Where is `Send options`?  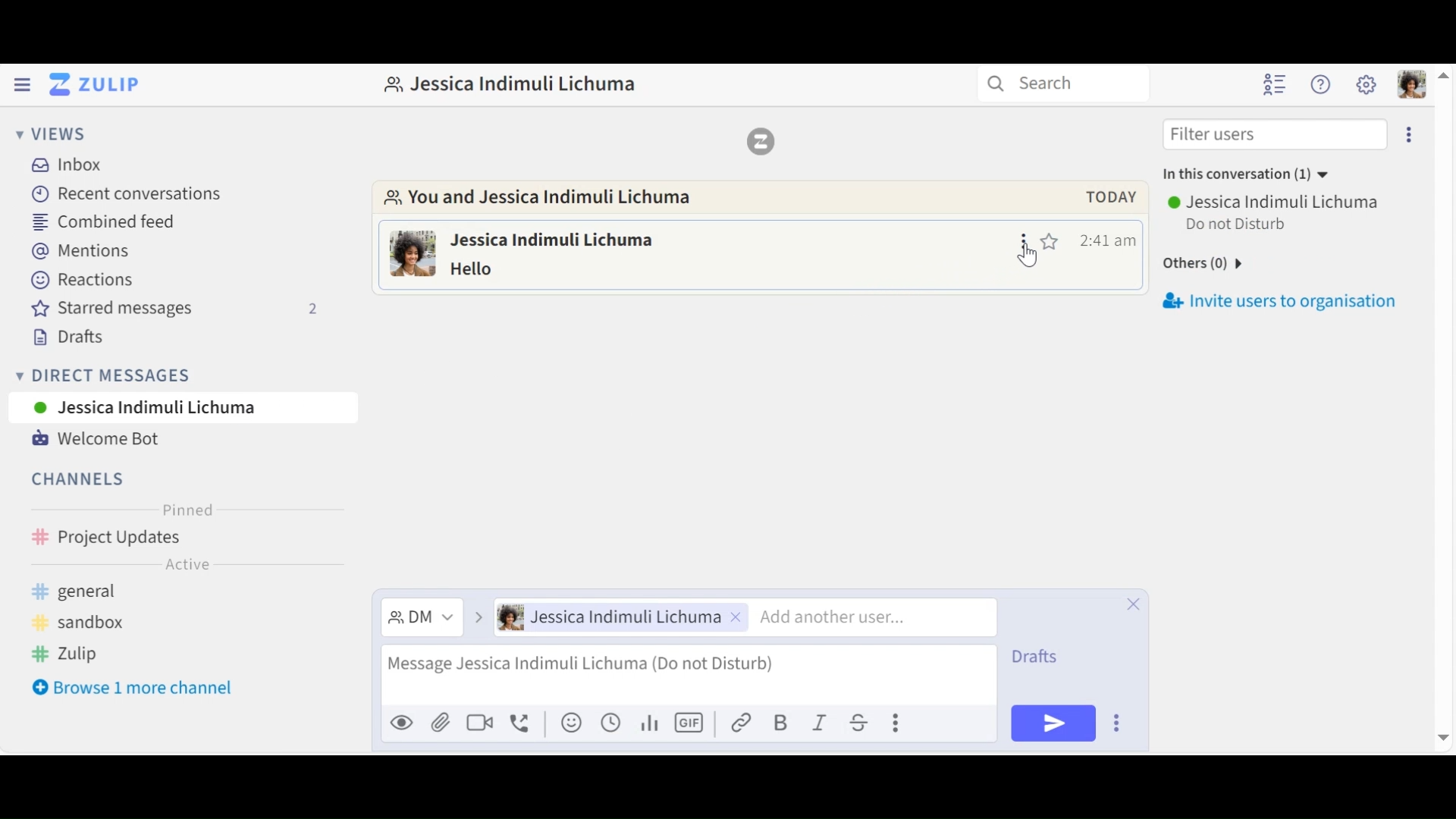
Send options is located at coordinates (1119, 723).